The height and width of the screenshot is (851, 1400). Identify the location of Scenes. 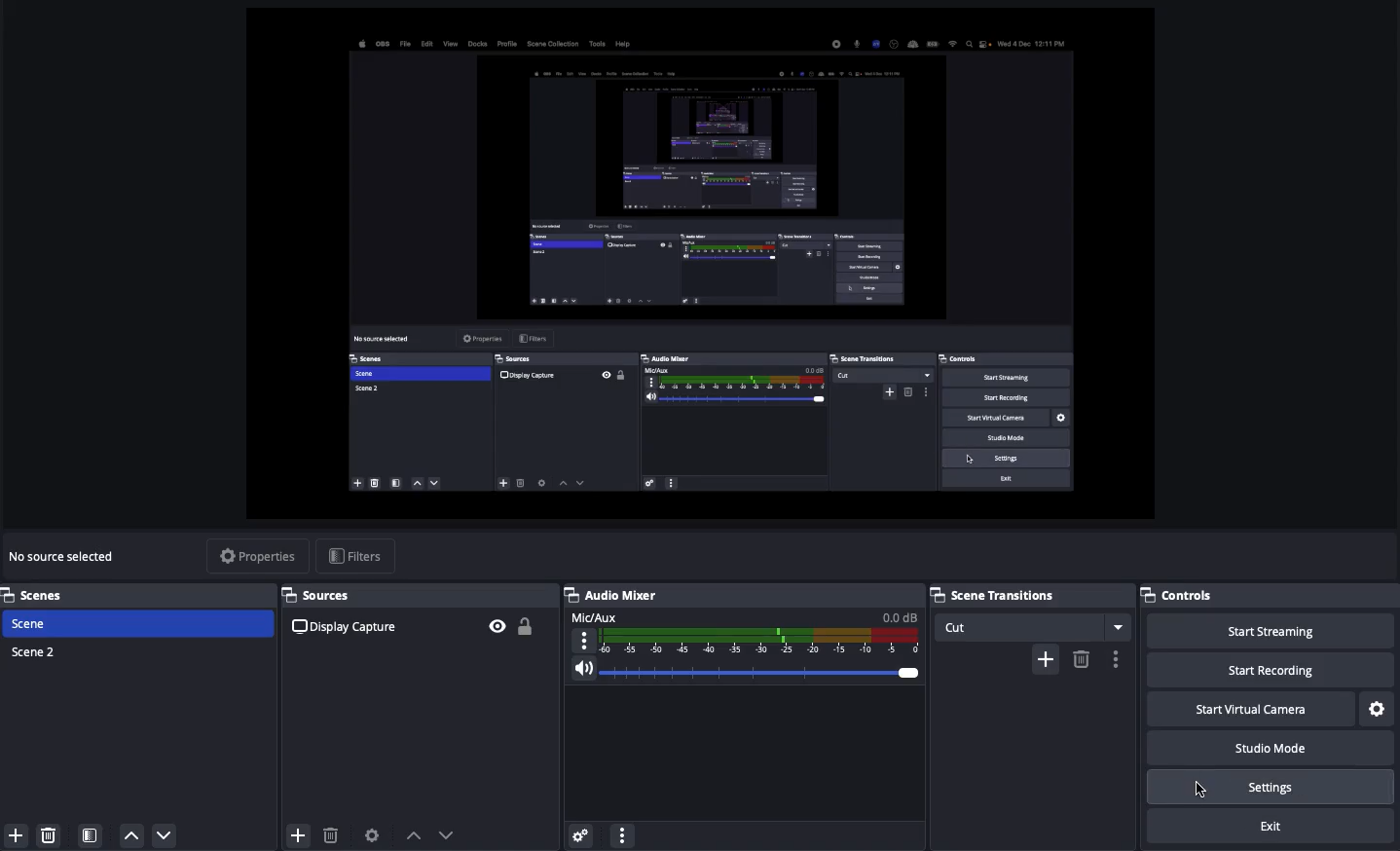
(44, 595).